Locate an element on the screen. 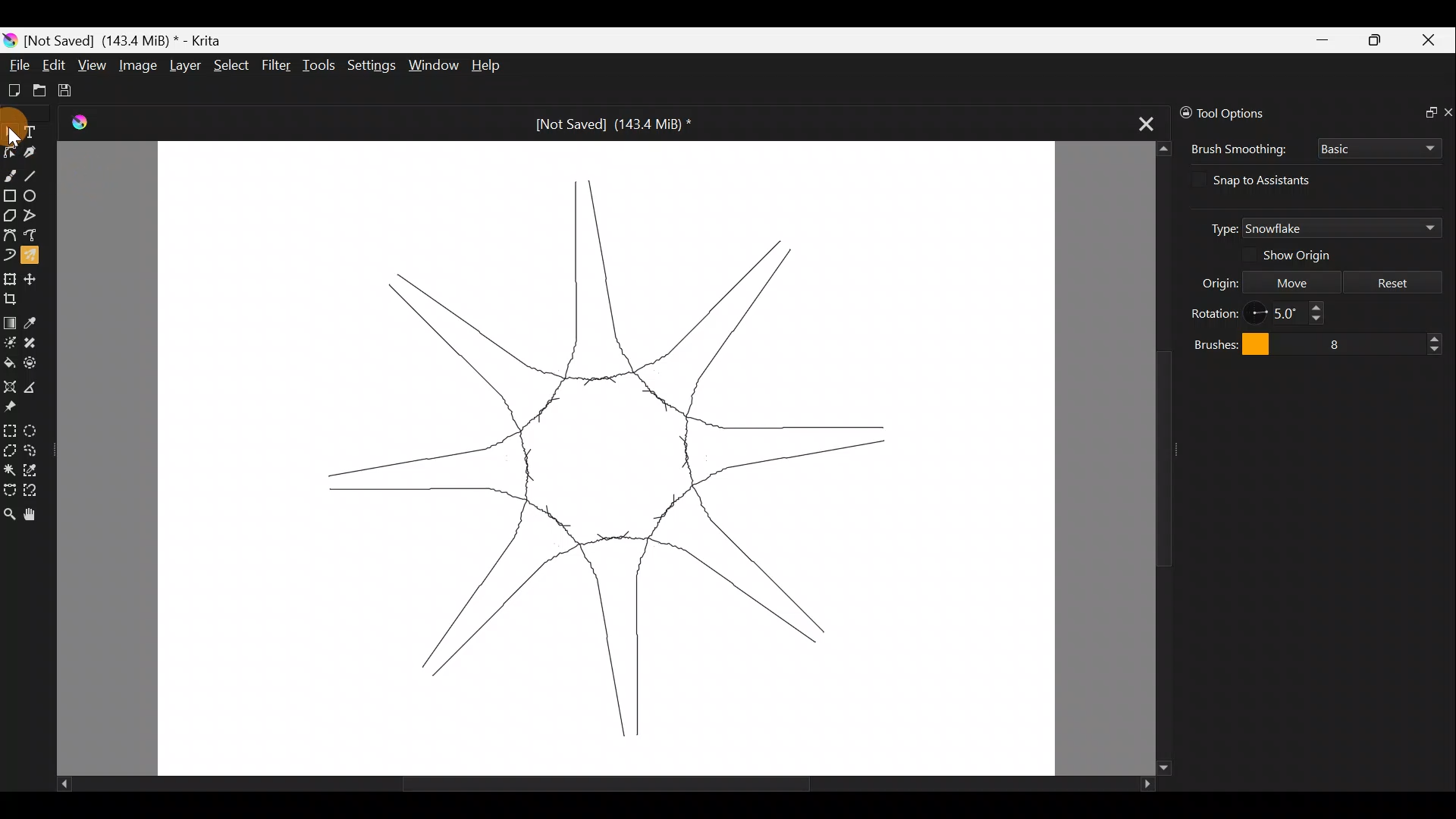  8 is located at coordinates (1370, 341).